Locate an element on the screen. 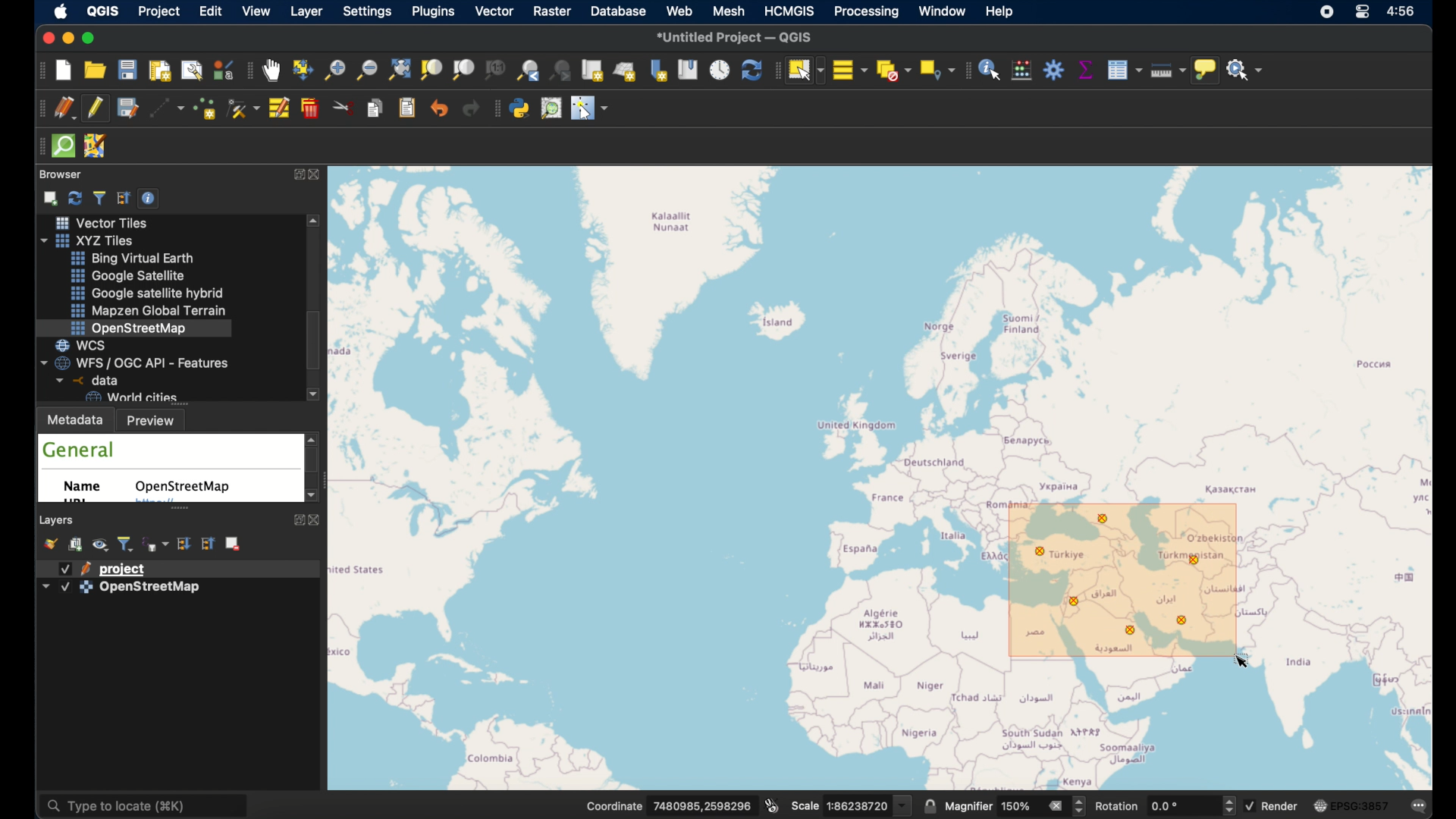 This screenshot has height=819, width=1456. vertex tool is located at coordinates (243, 108).